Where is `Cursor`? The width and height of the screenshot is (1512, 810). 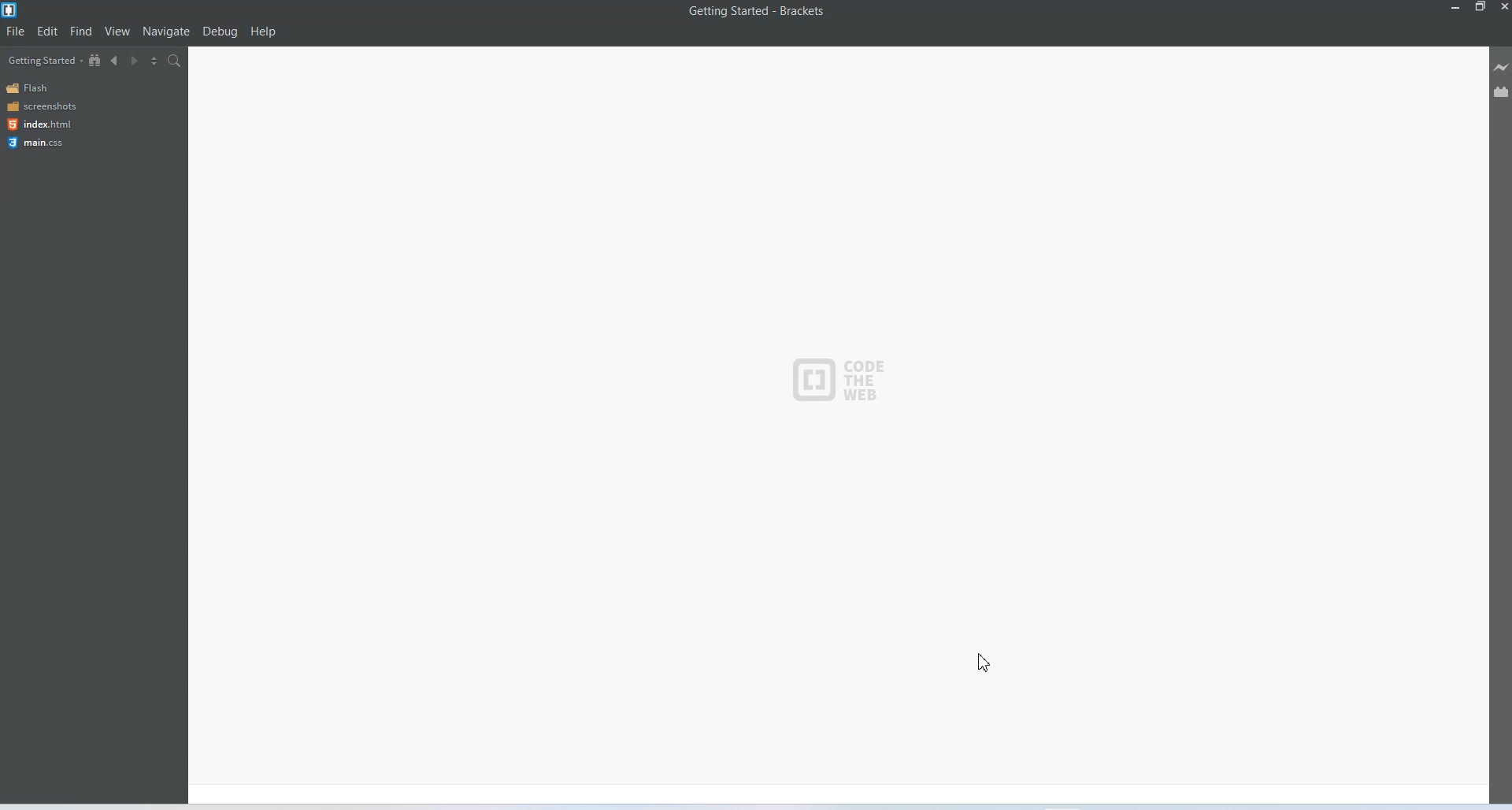 Cursor is located at coordinates (986, 663).